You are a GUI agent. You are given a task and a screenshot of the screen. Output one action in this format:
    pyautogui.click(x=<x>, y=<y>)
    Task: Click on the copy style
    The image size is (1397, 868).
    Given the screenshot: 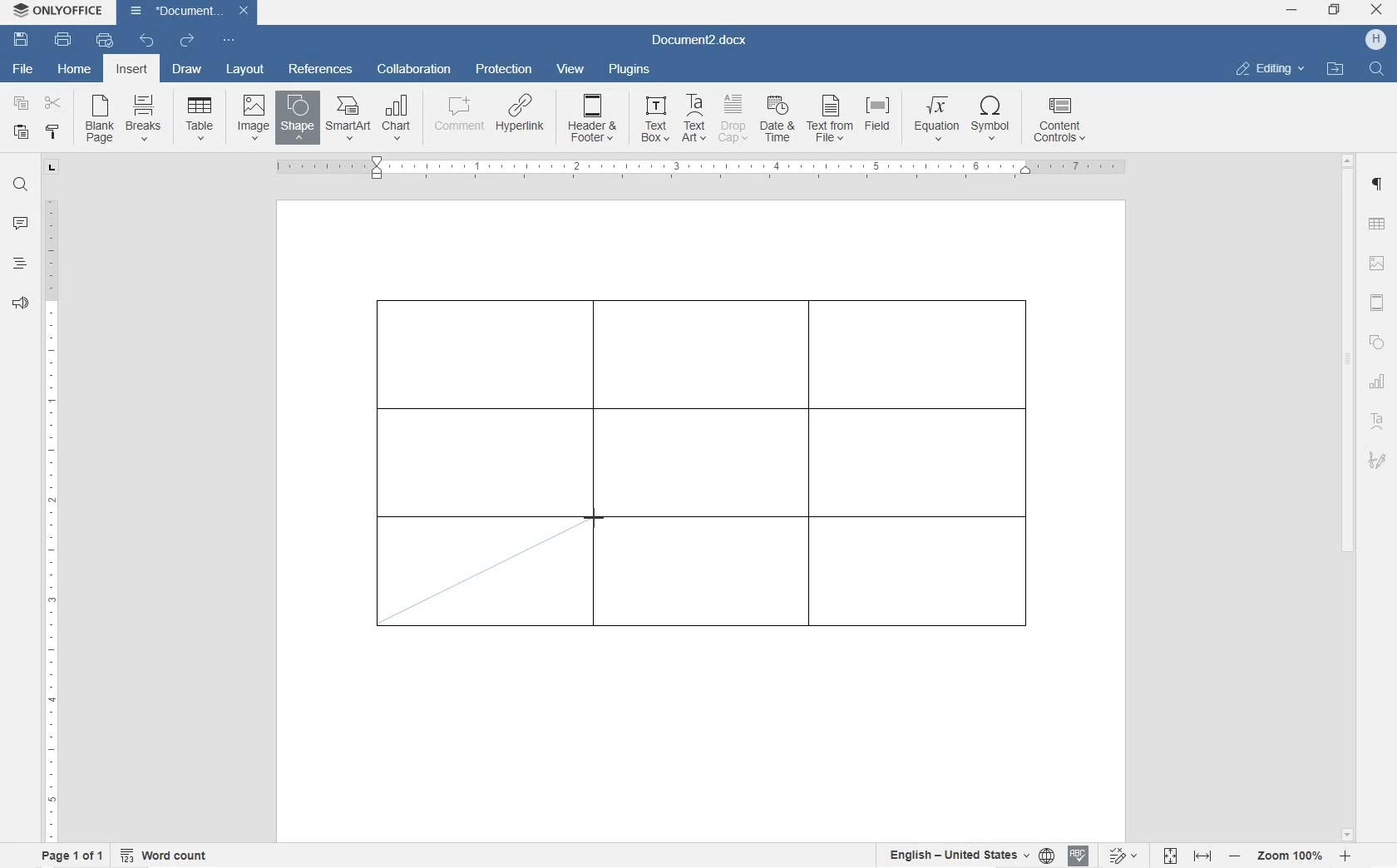 What is the action you would take?
    pyautogui.click(x=53, y=132)
    